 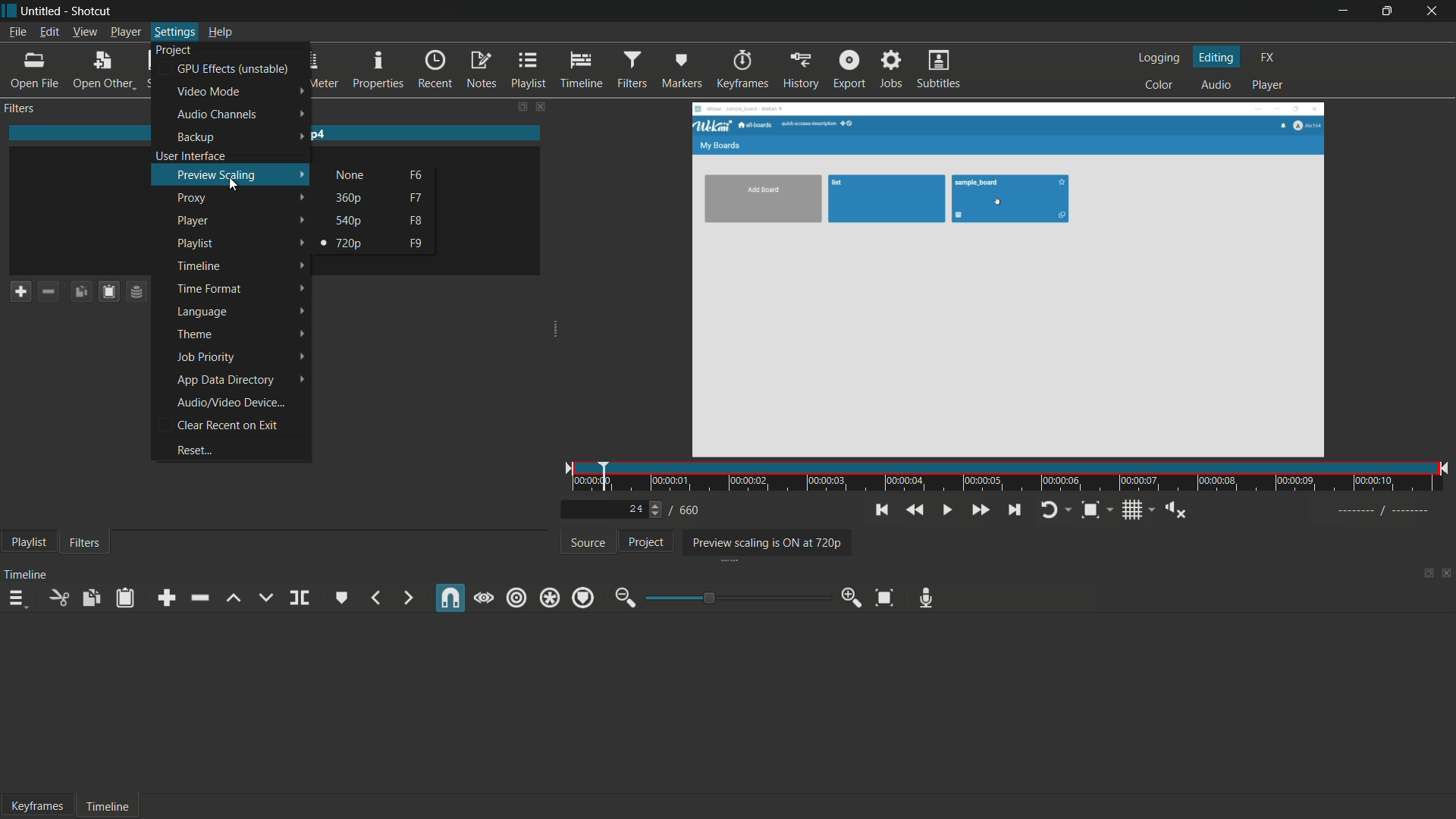 I want to click on playlist, so click(x=529, y=70).